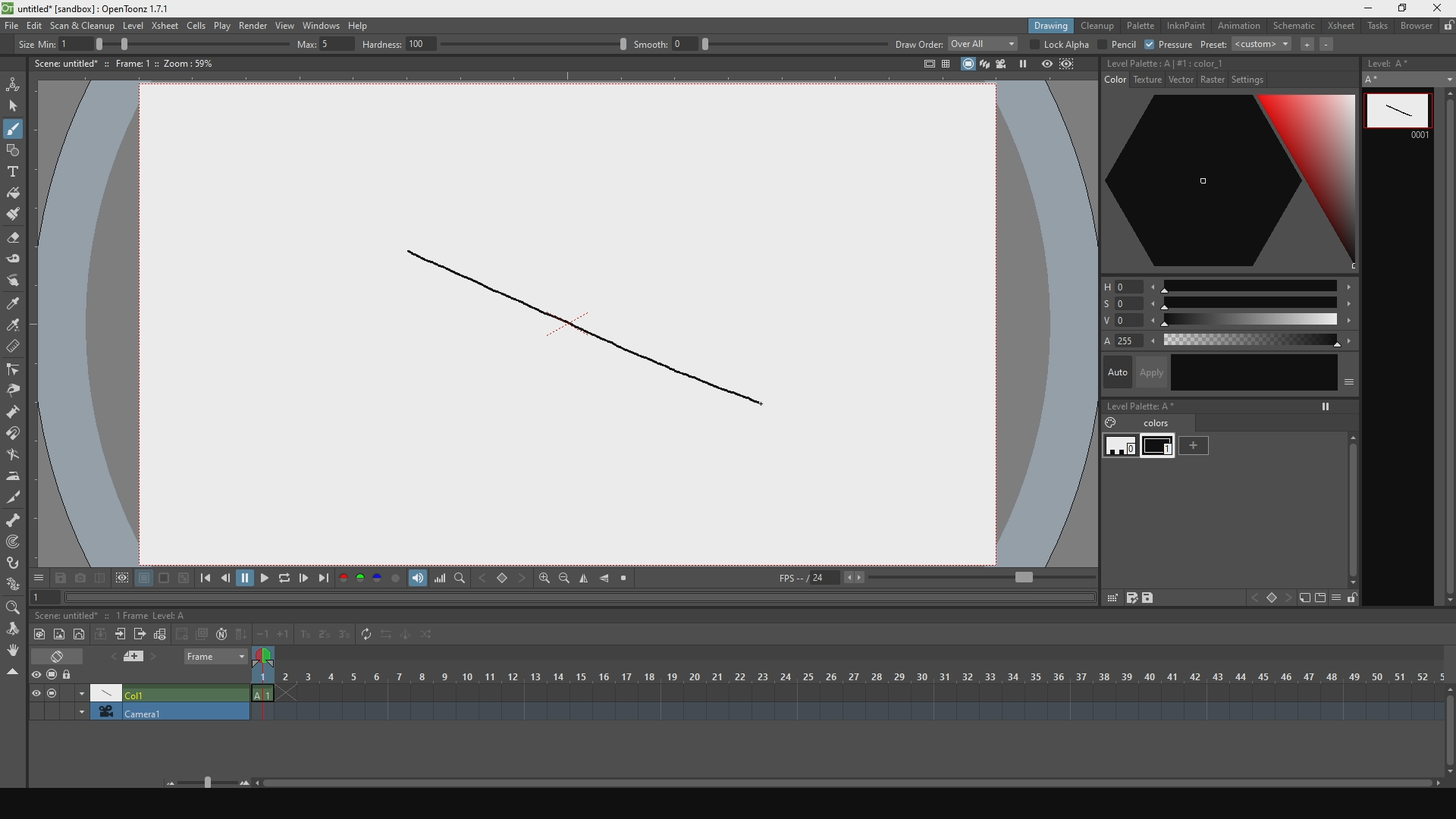 The width and height of the screenshot is (1456, 819). Describe the element at coordinates (1342, 27) in the screenshot. I see `xsheet` at that location.